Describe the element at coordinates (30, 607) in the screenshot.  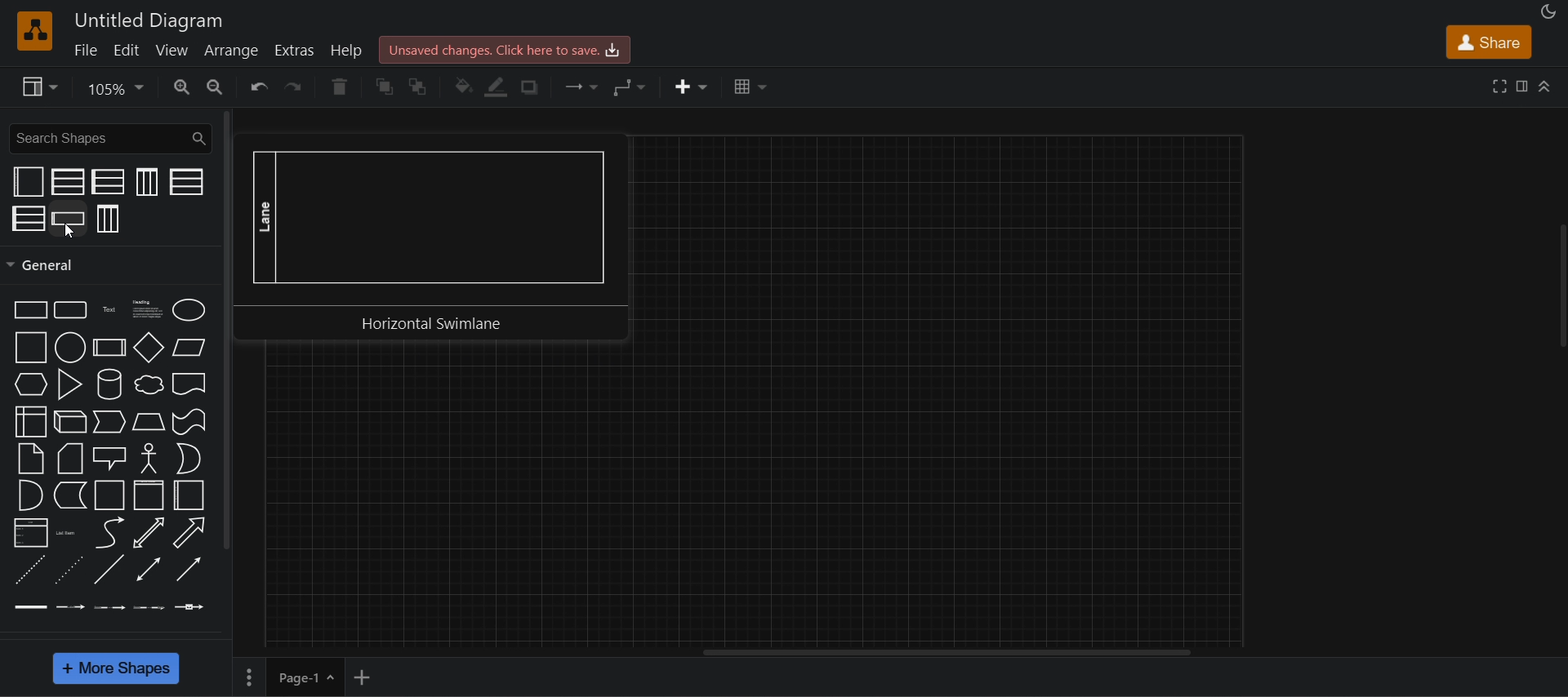
I see `link` at that location.